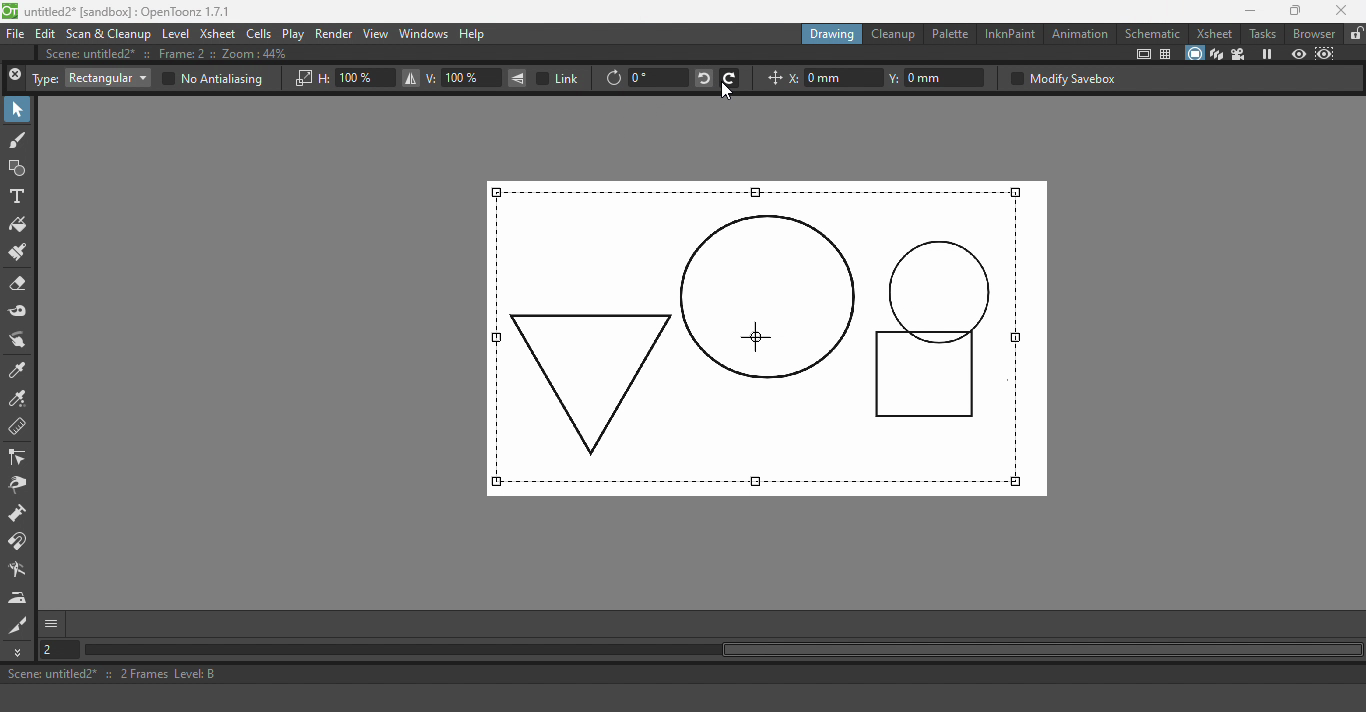  Describe the element at coordinates (1238, 55) in the screenshot. I see `Camera view` at that location.